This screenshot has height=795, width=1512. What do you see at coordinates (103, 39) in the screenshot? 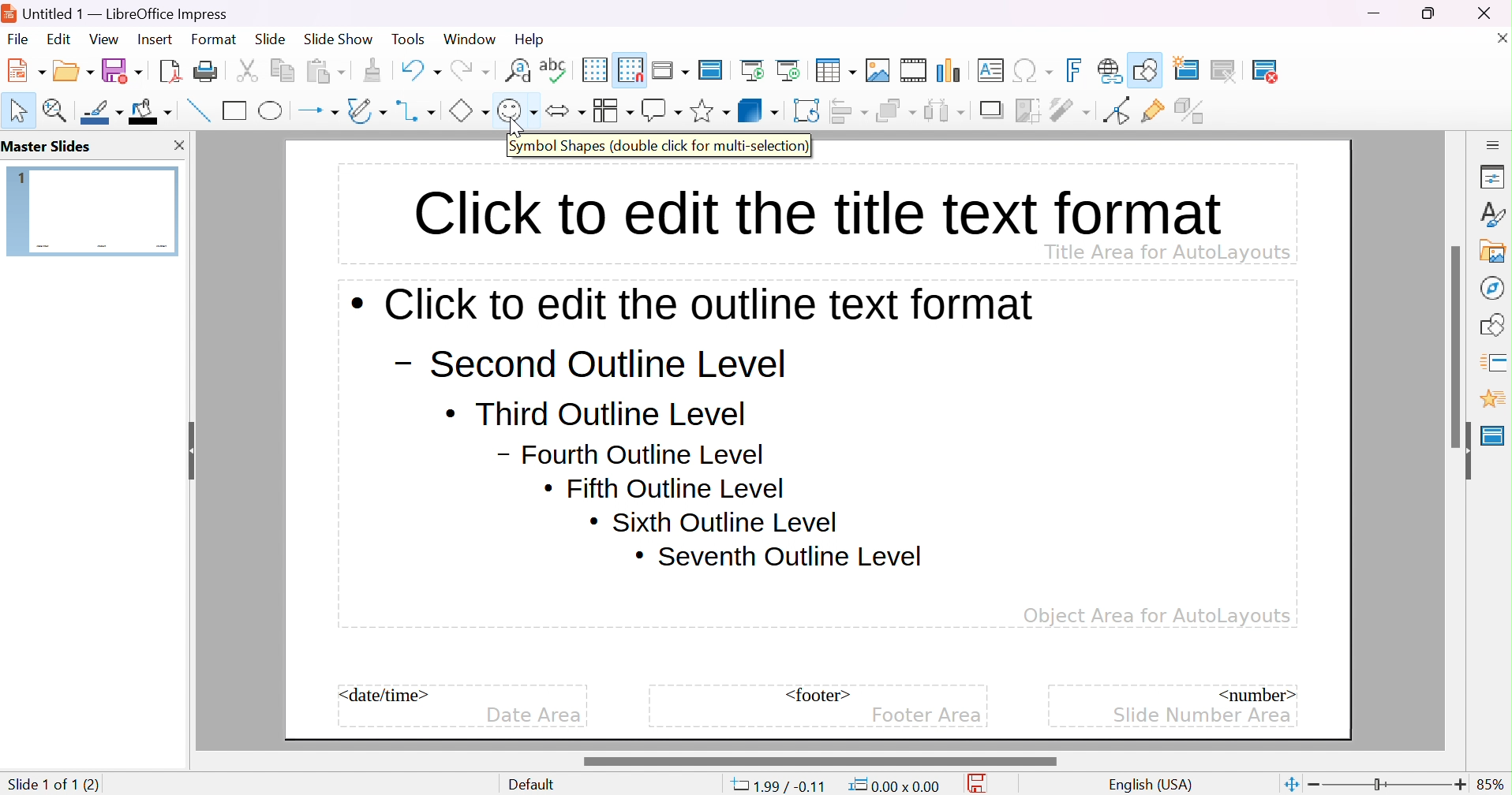
I see `view` at bounding box center [103, 39].